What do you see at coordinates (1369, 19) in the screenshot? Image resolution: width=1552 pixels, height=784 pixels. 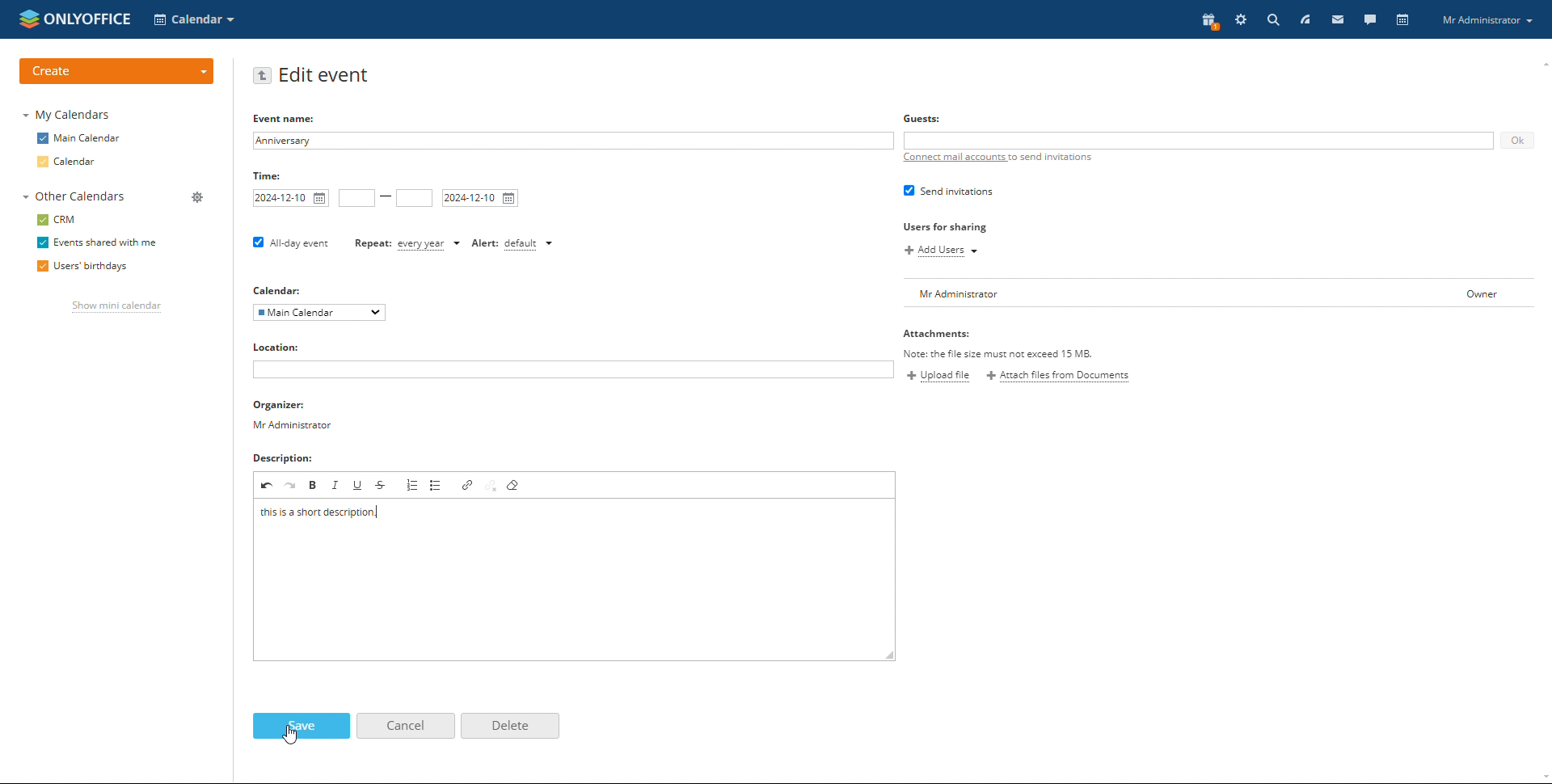 I see `talk` at bounding box center [1369, 19].